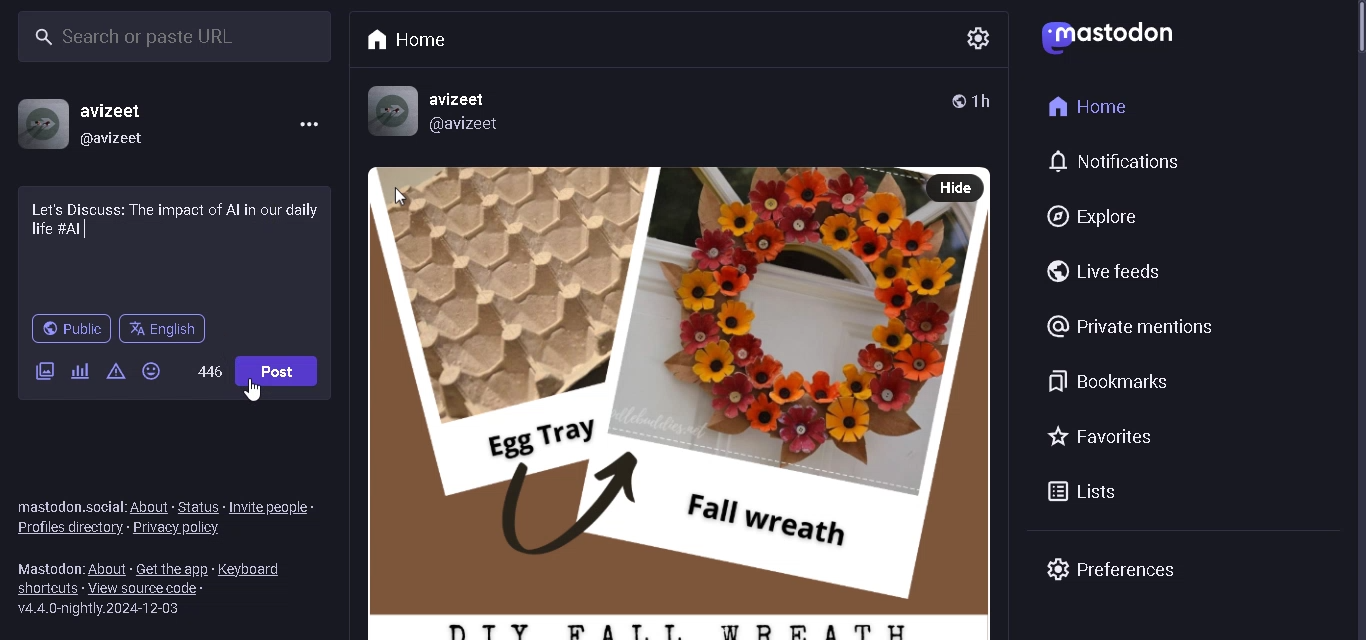 This screenshot has width=1366, height=640. I want to click on INVITE PEOPLE, so click(272, 507).